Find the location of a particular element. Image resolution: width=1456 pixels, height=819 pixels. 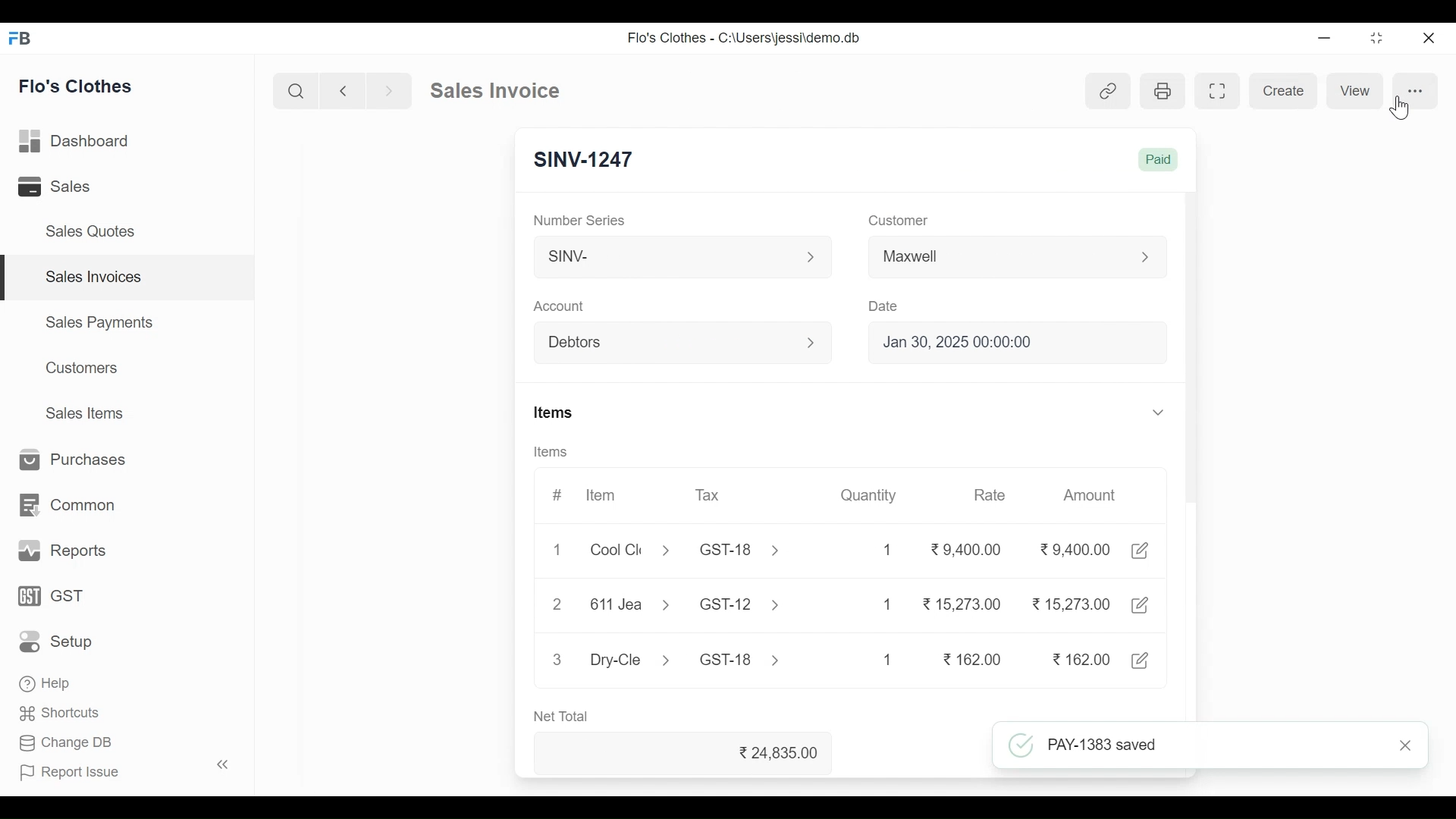

Search is located at coordinates (296, 91).